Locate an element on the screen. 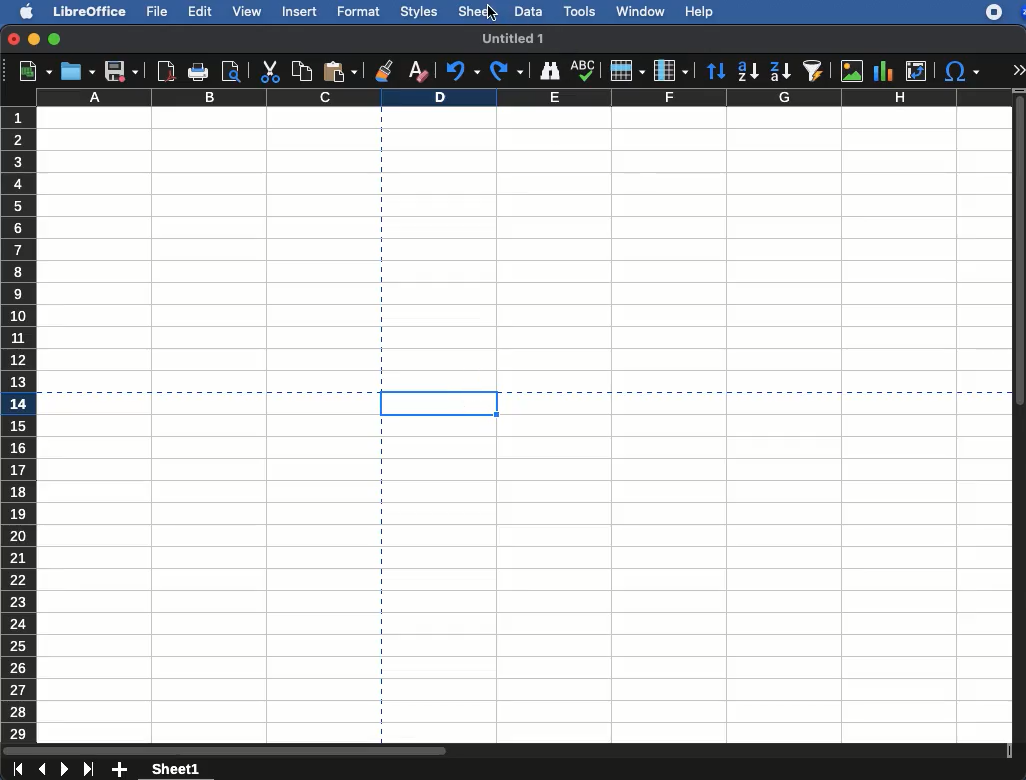 The height and width of the screenshot is (780, 1026). minimize is located at coordinates (35, 39).